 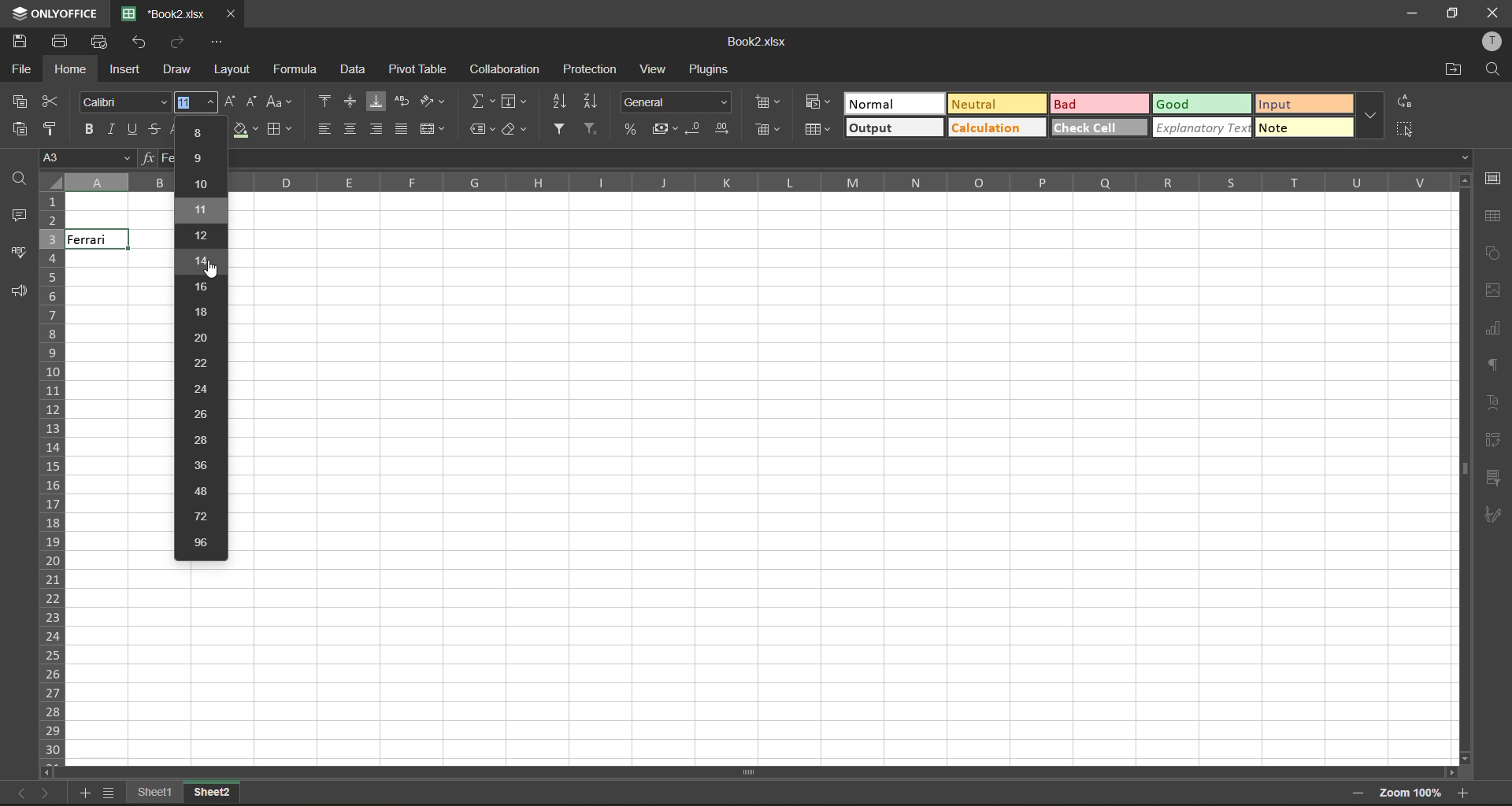 I want to click on select all, so click(x=1404, y=129).